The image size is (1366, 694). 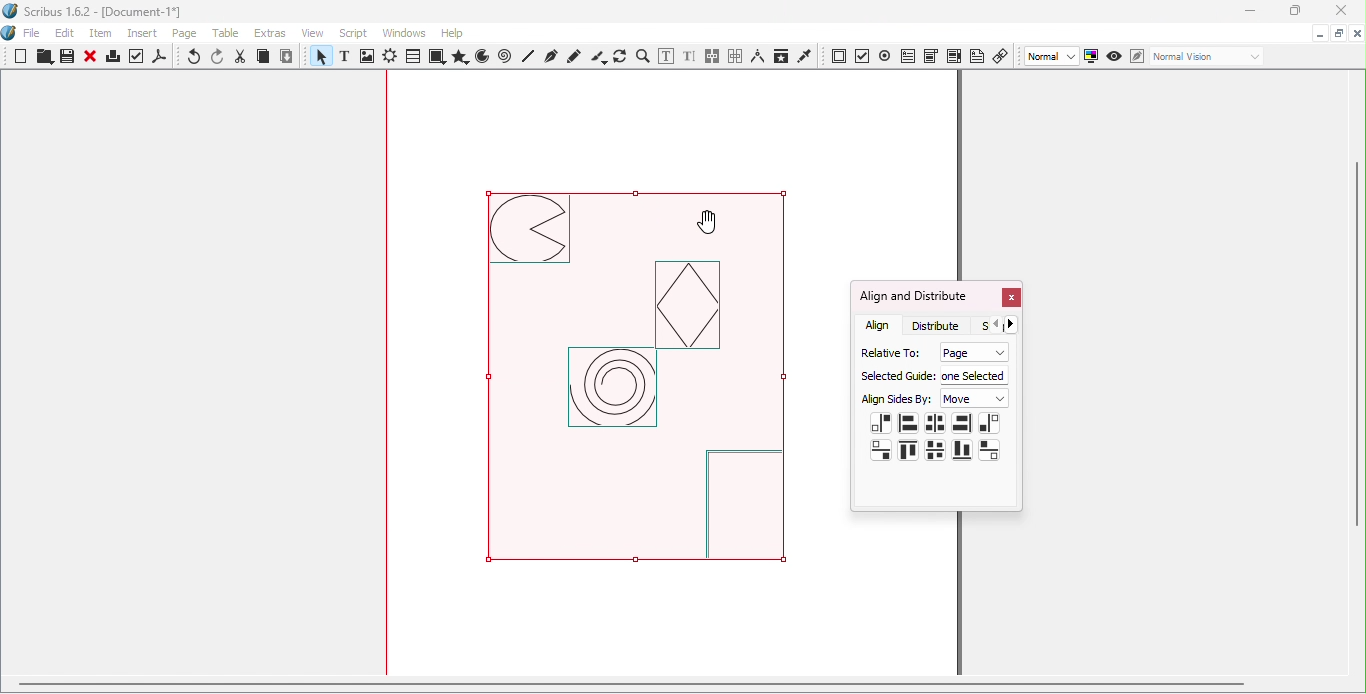 I want to click on Help, so click(x=452, y=33).